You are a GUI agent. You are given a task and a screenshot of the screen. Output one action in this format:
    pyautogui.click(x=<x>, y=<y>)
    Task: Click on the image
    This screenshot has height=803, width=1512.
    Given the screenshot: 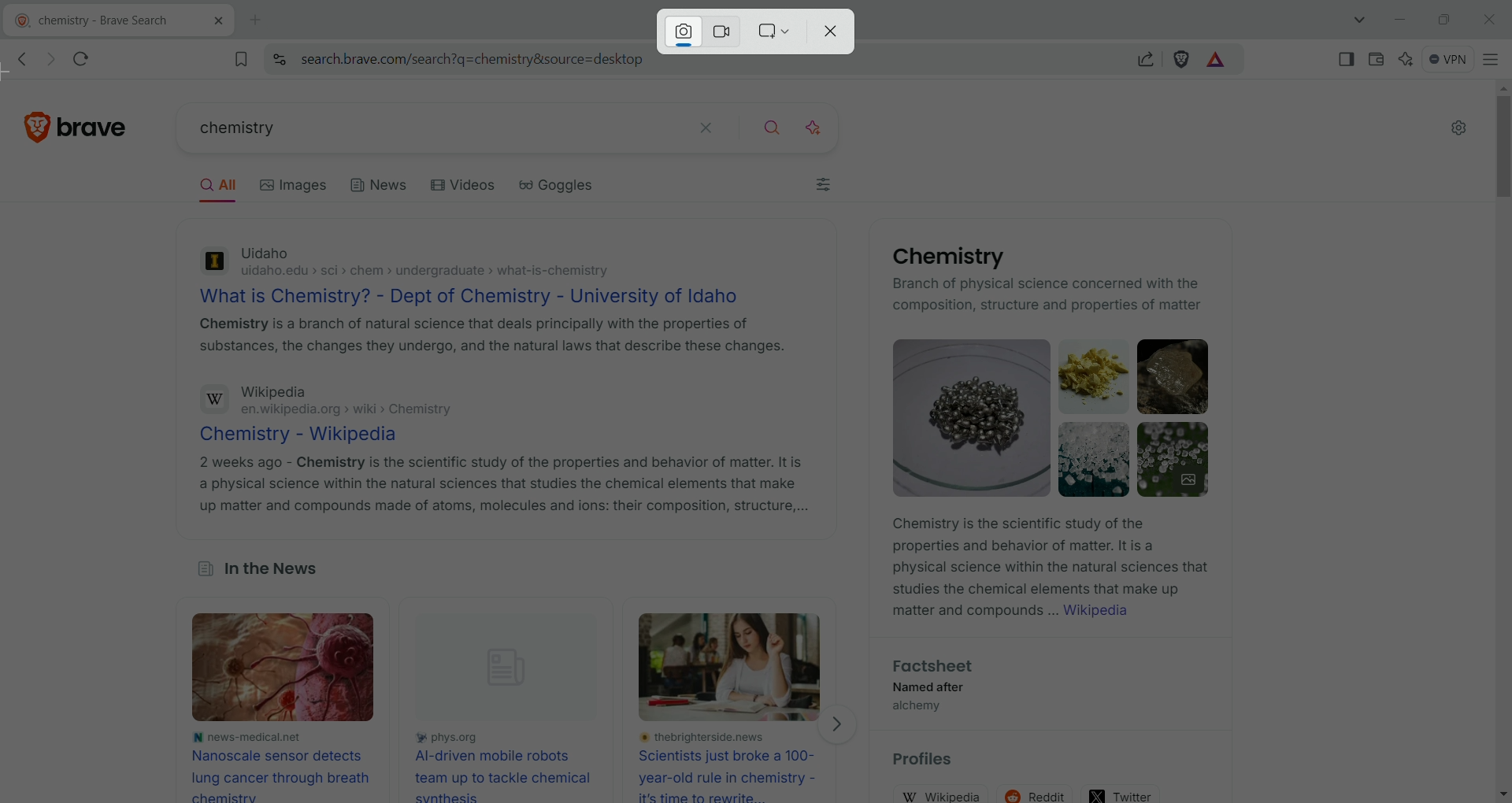 What is the action you would take?
    pyautogui.click(x=735, y=667)
    